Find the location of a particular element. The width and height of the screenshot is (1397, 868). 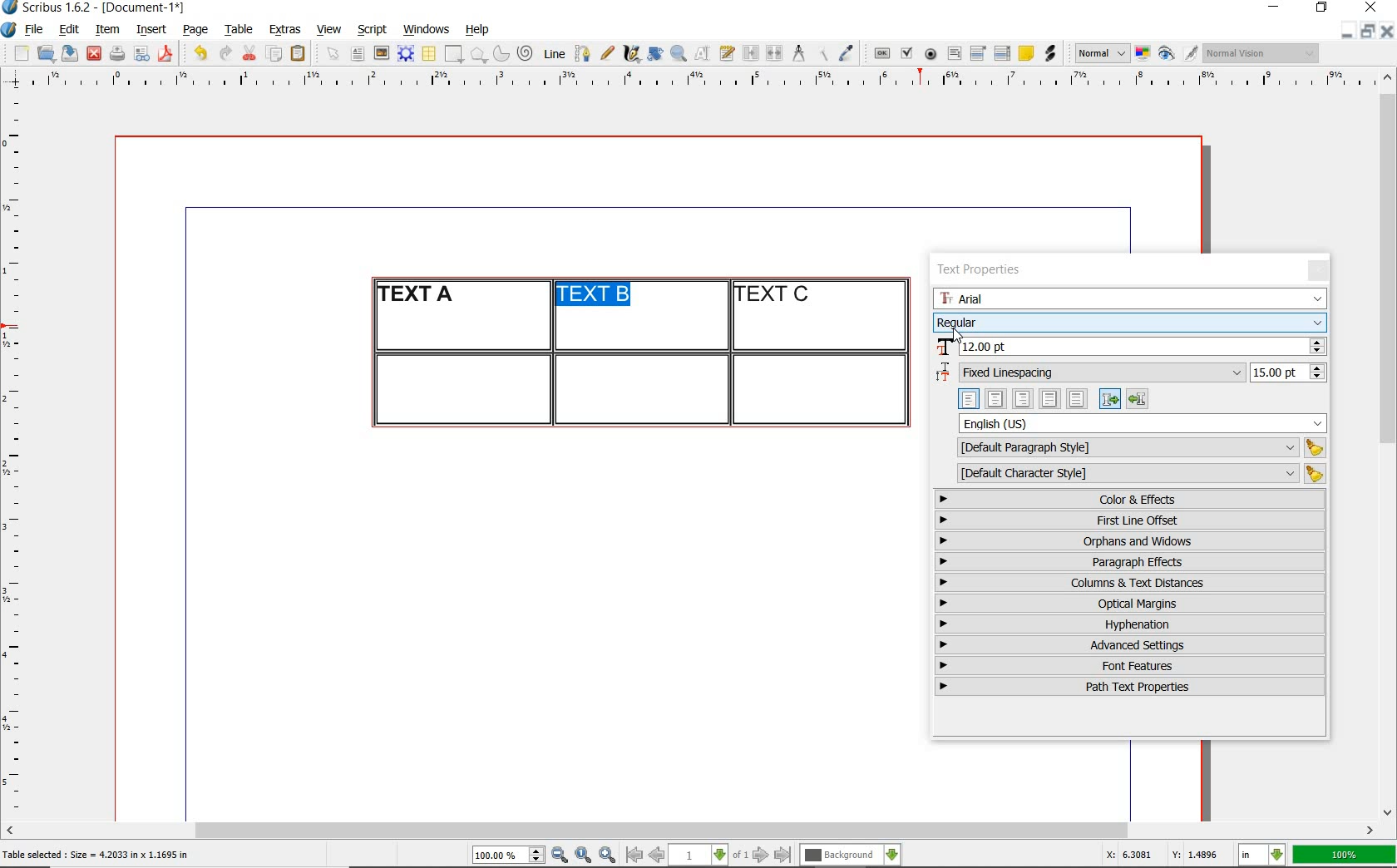

close is located at coordinates (94, 54).